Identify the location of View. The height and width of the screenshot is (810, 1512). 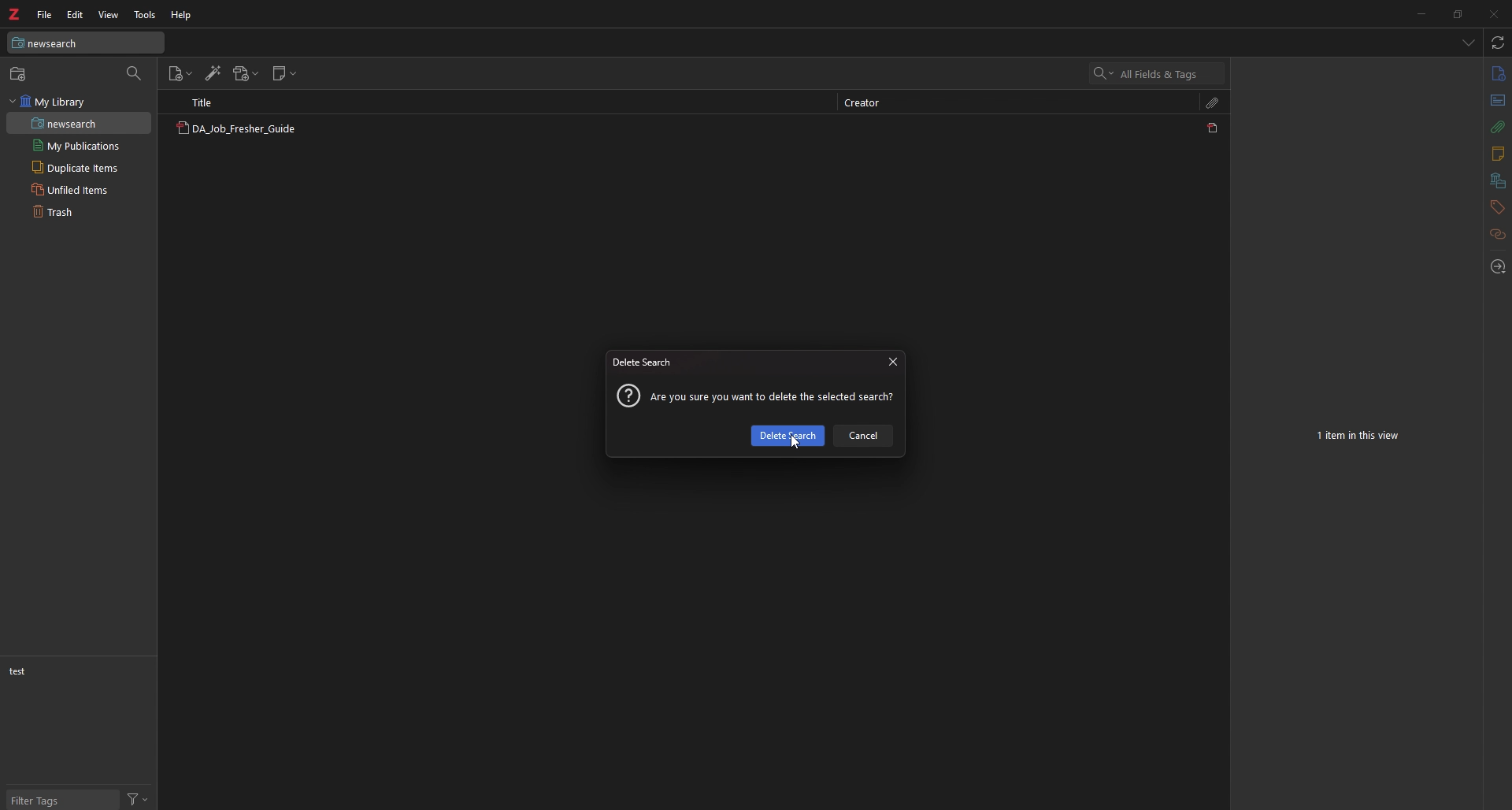
(109, 14).